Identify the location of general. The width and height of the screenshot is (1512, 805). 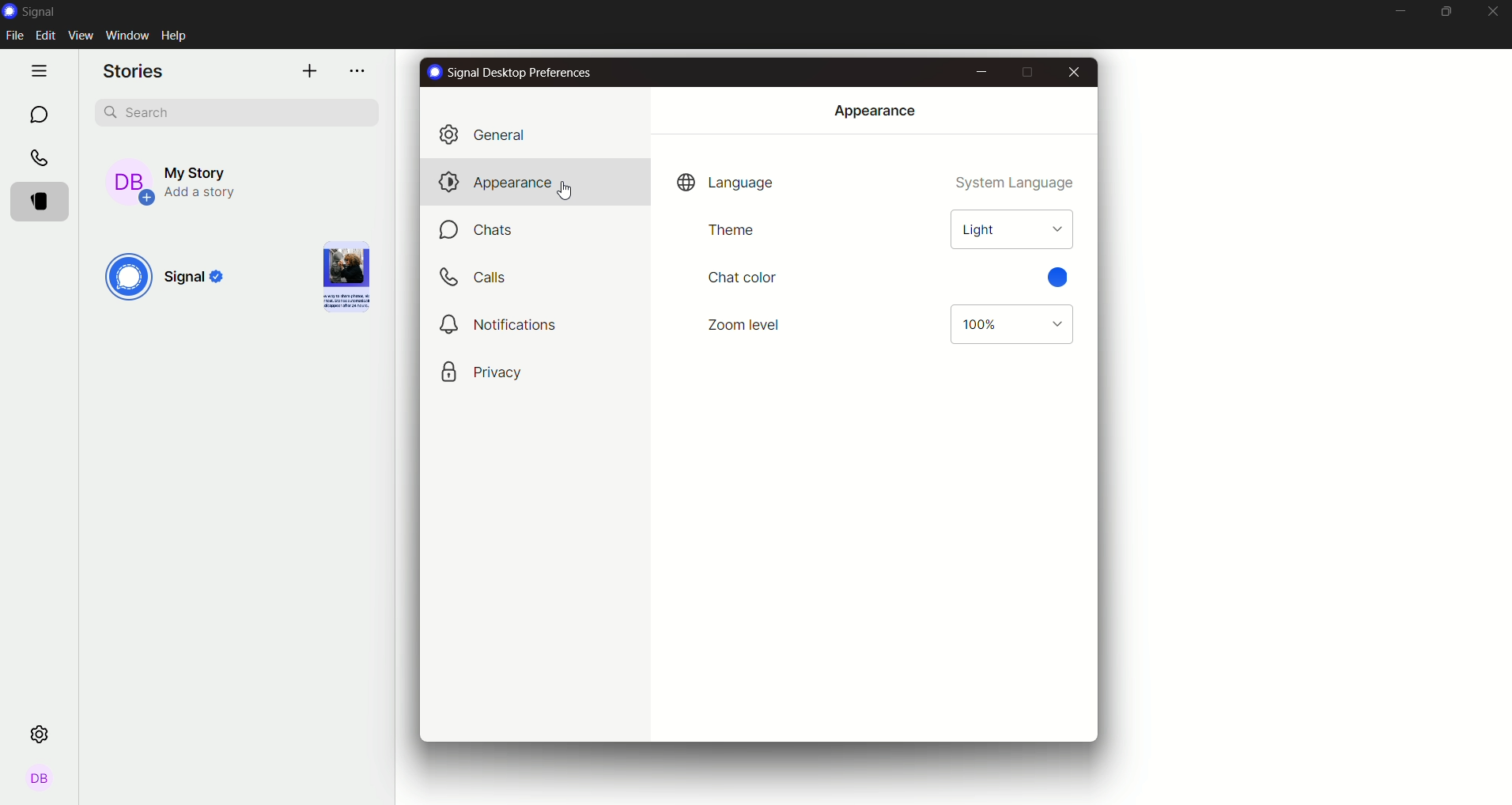
(492, 134).